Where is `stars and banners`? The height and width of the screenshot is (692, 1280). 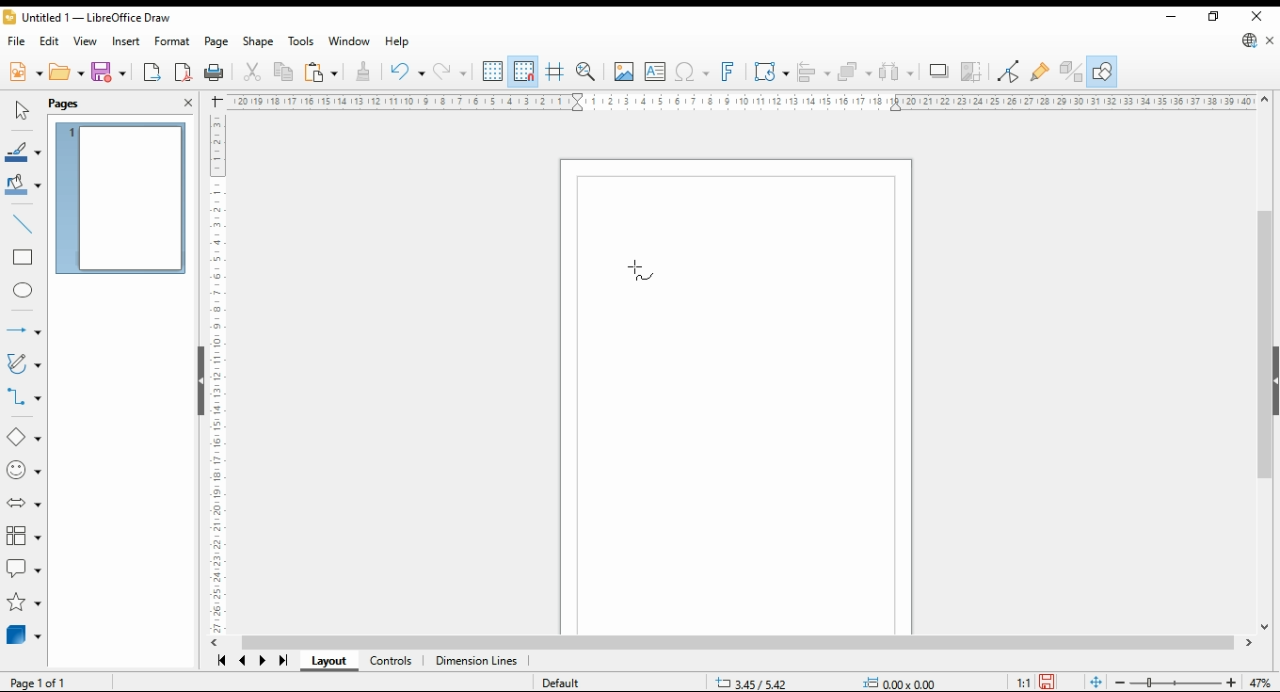
stars and banners is located at coordinates (23, 603).